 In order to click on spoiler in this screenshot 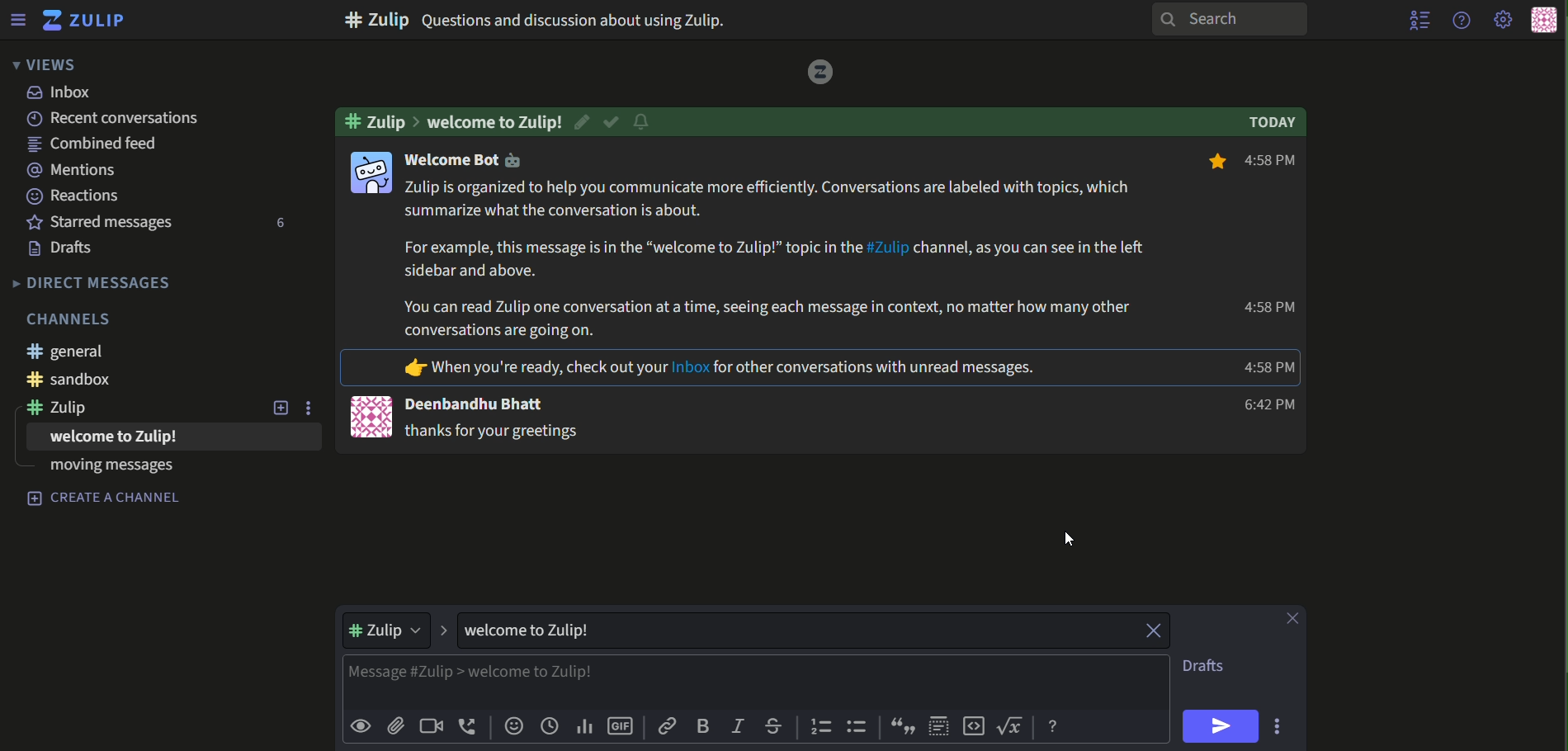, I will do `click(939, 725)`.